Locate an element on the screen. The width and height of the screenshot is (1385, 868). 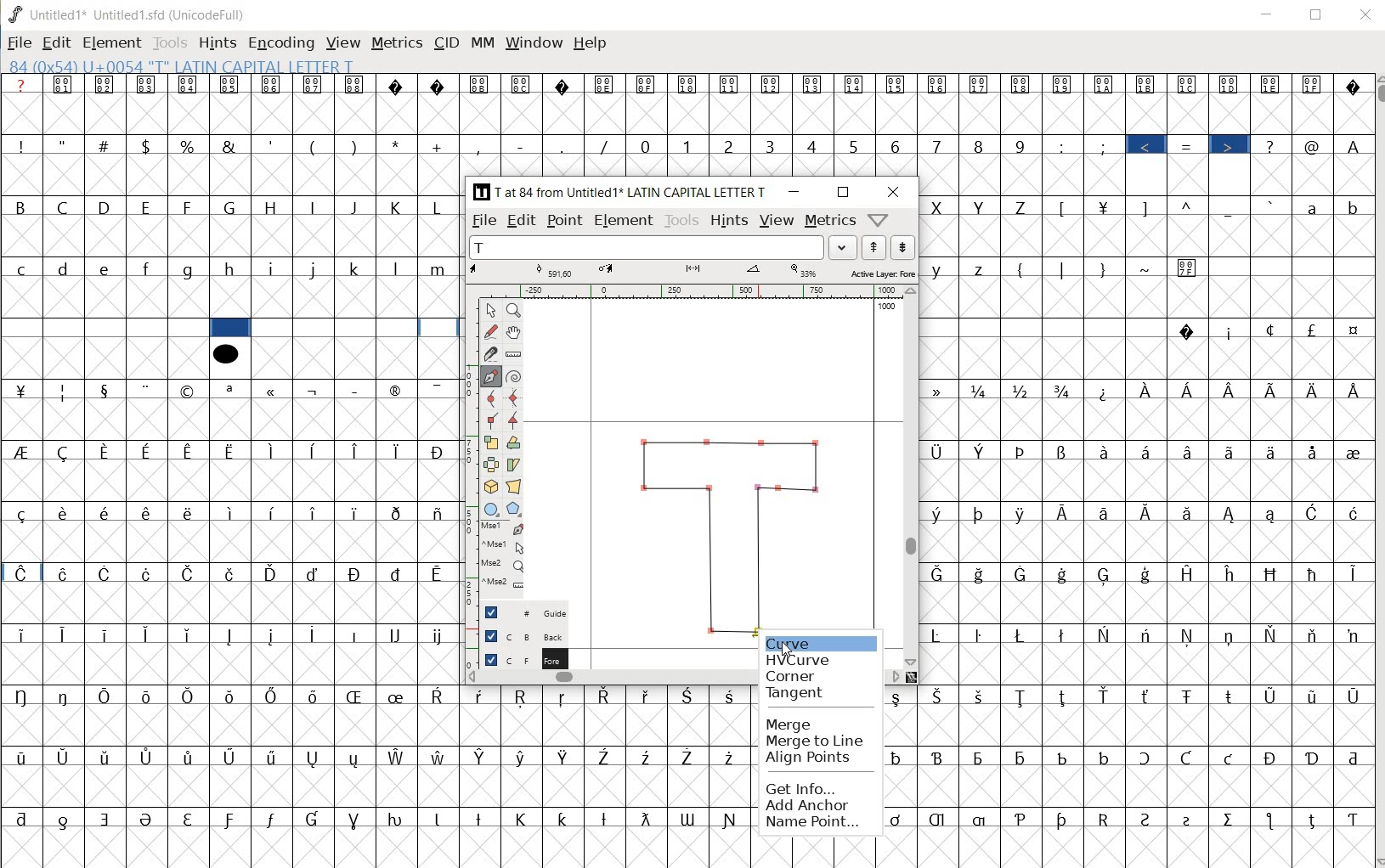
; is located at coordinates (1105, 146).